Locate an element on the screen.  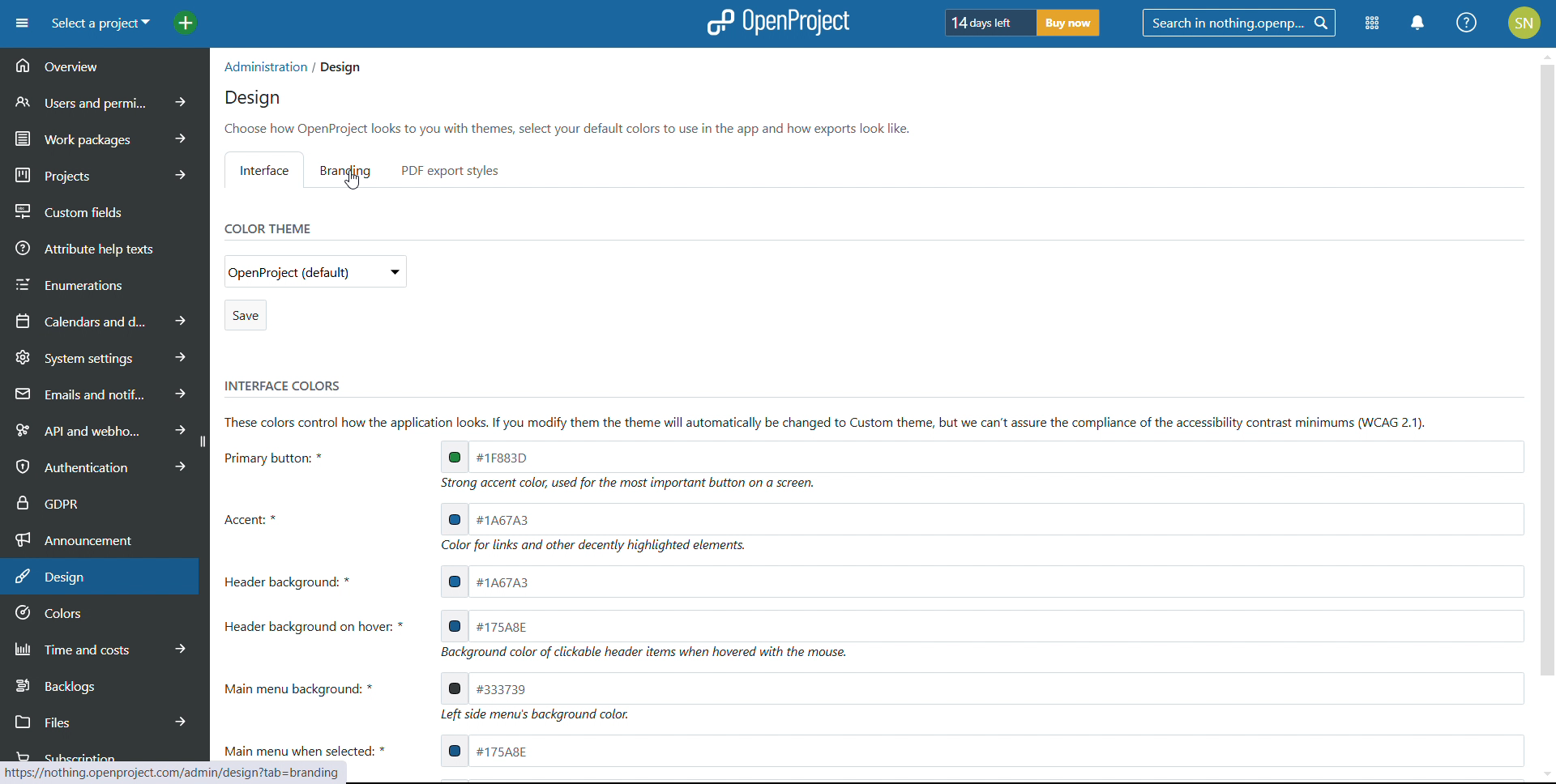
Choose how OpenProject looks to you with themes, select your default colors to use in the app and how exports look like. is located at coordinates (572, 128).